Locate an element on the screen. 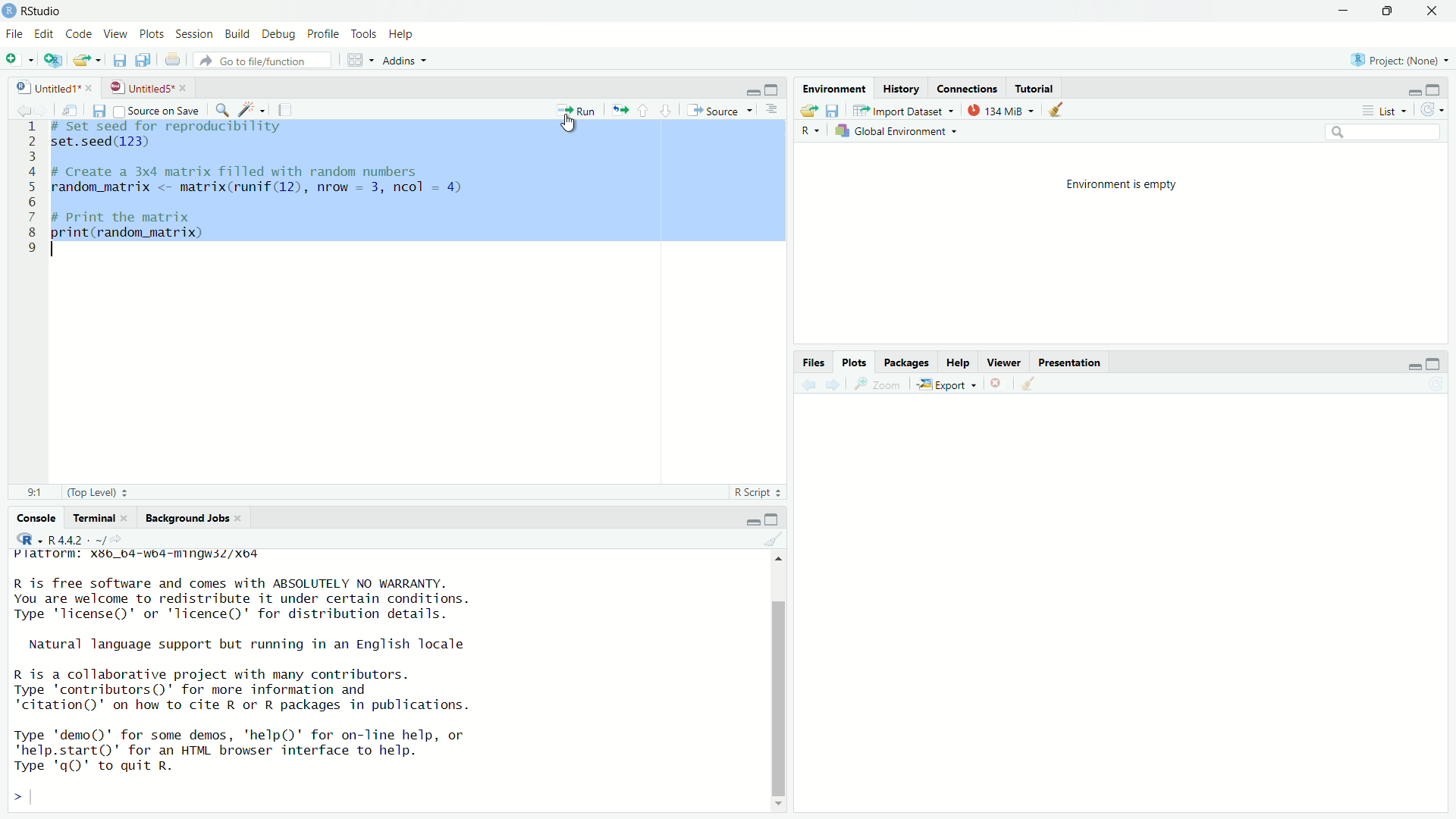 The height and width of the screenshot is (819, 1456). UntitledS* is located at coordinates (144, 86).